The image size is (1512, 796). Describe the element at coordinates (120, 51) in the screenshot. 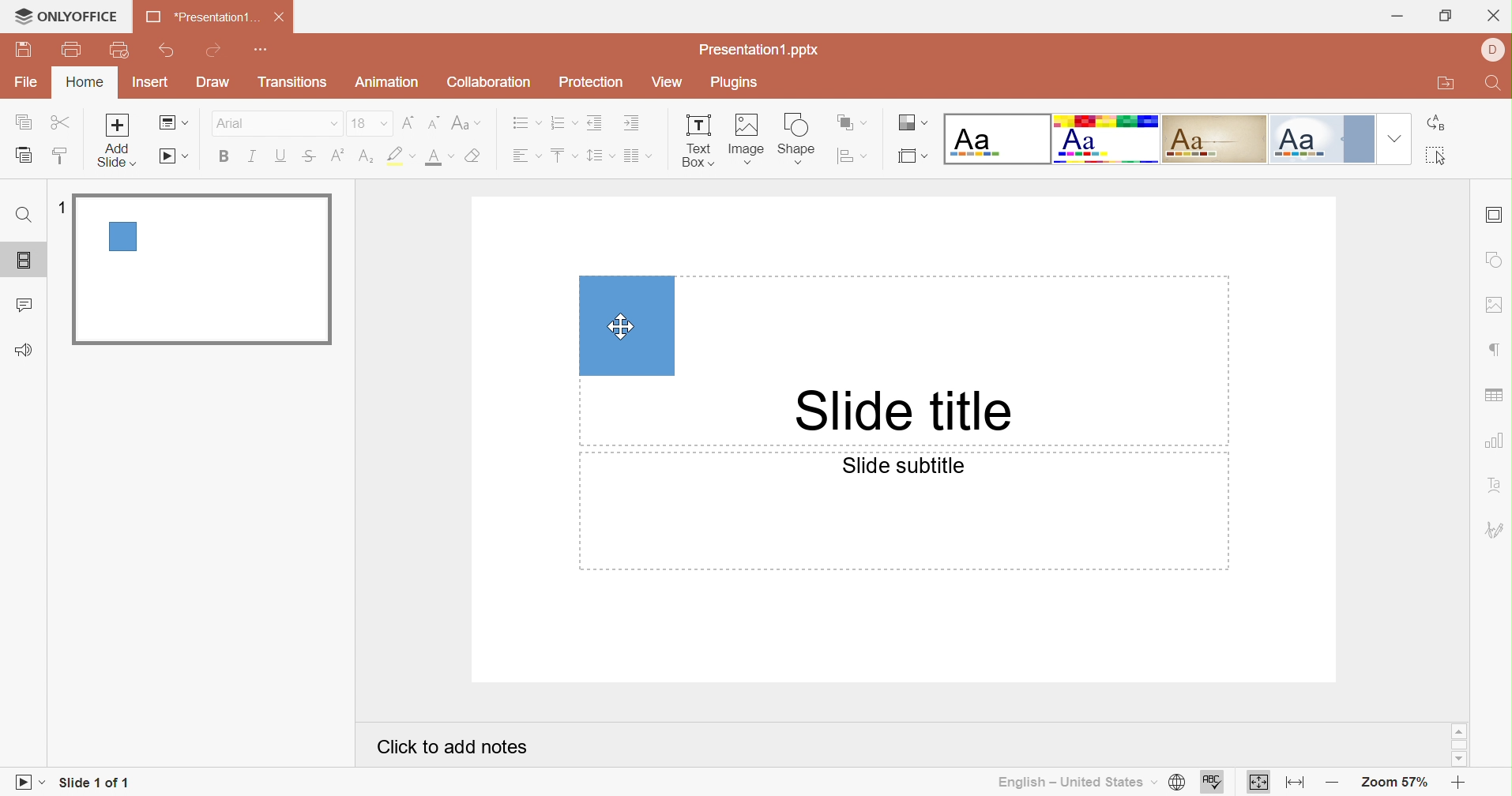

I see `Quick print` at that location.